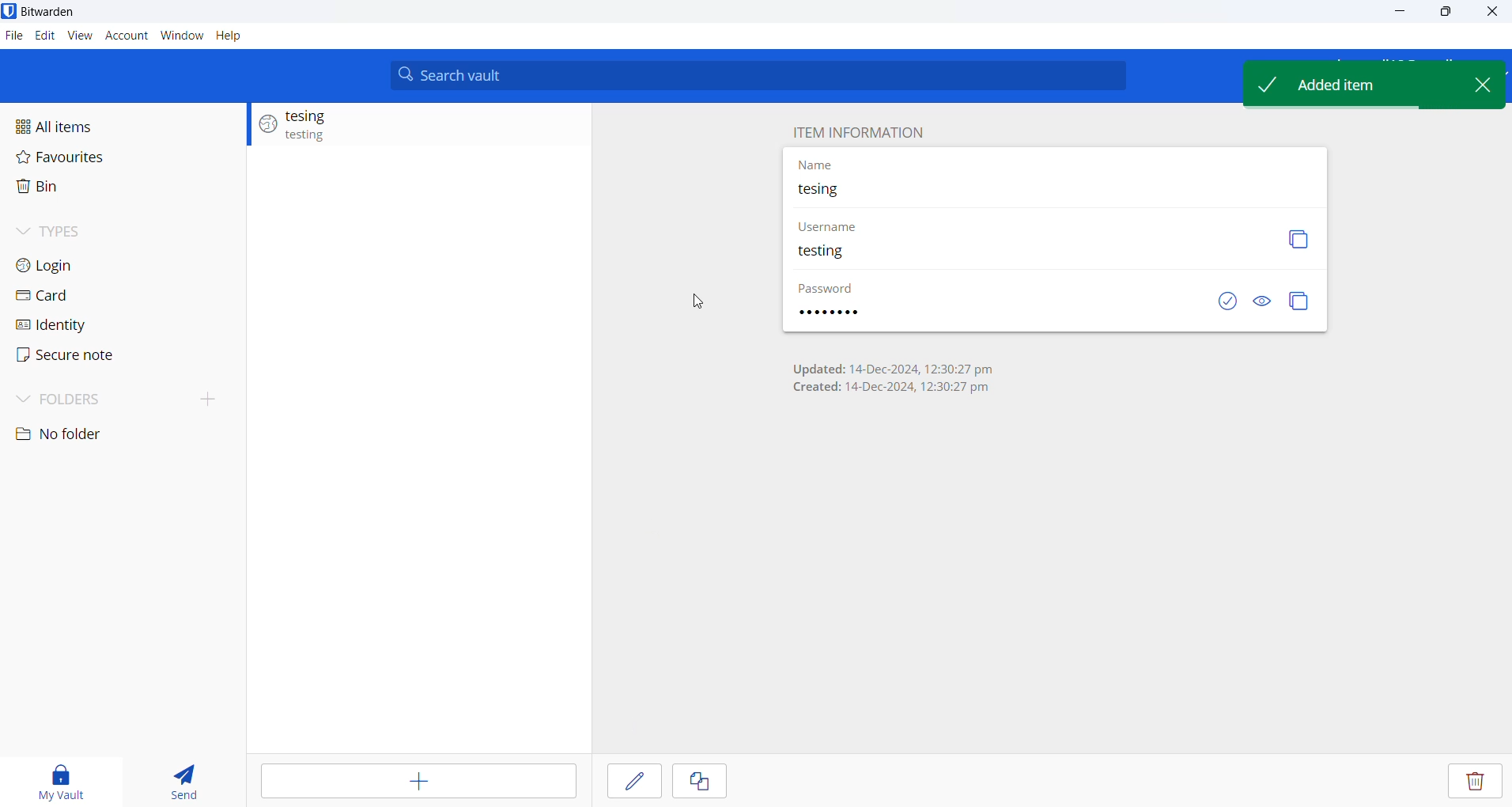 The width and height of the screenshot is (1512, 807). What do you see at coordinates (238, 37) in the screenshot?
I see `Help` at bounding box center [238, 37].